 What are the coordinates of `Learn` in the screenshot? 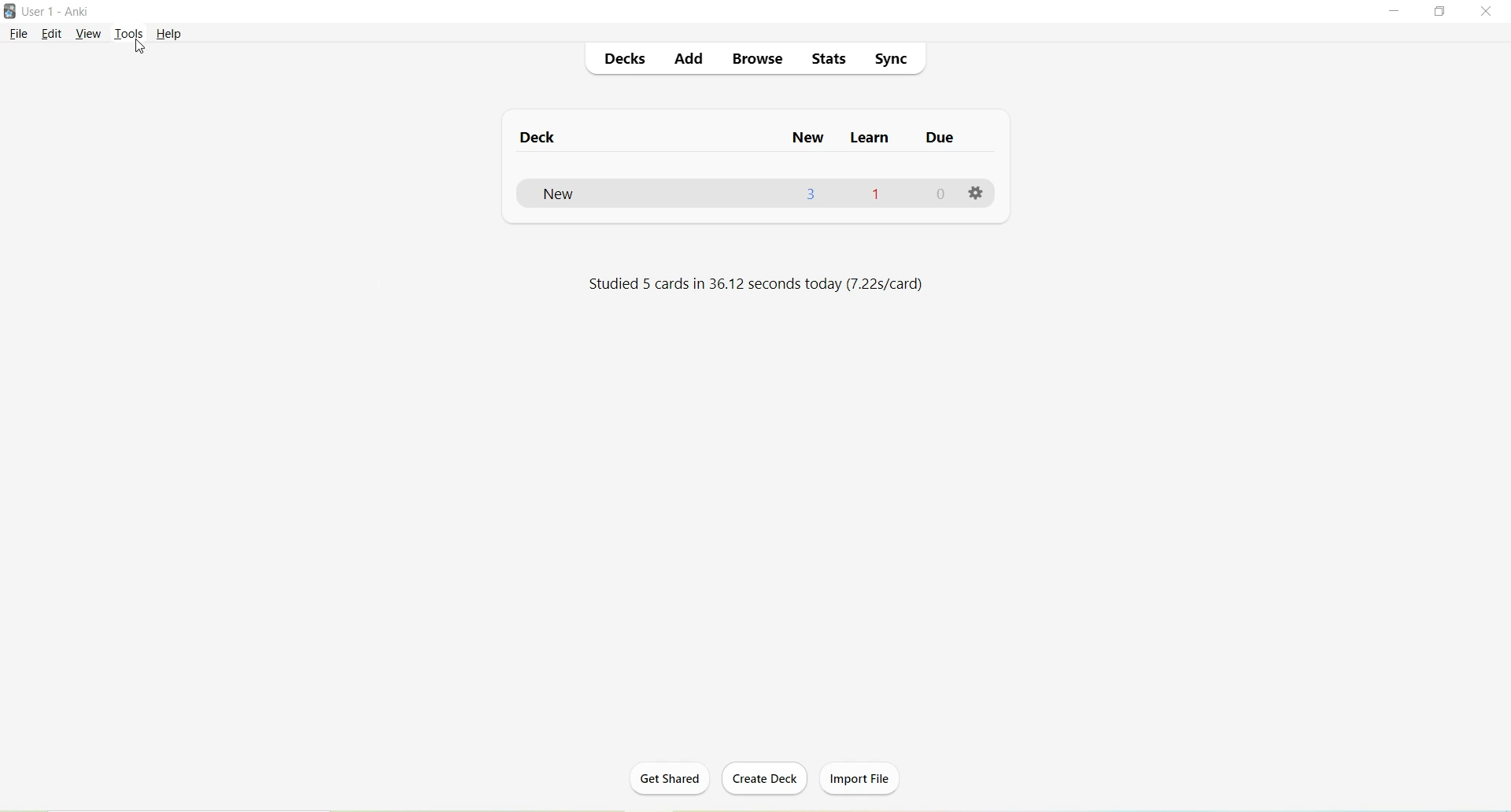 It's located at (871, 140).